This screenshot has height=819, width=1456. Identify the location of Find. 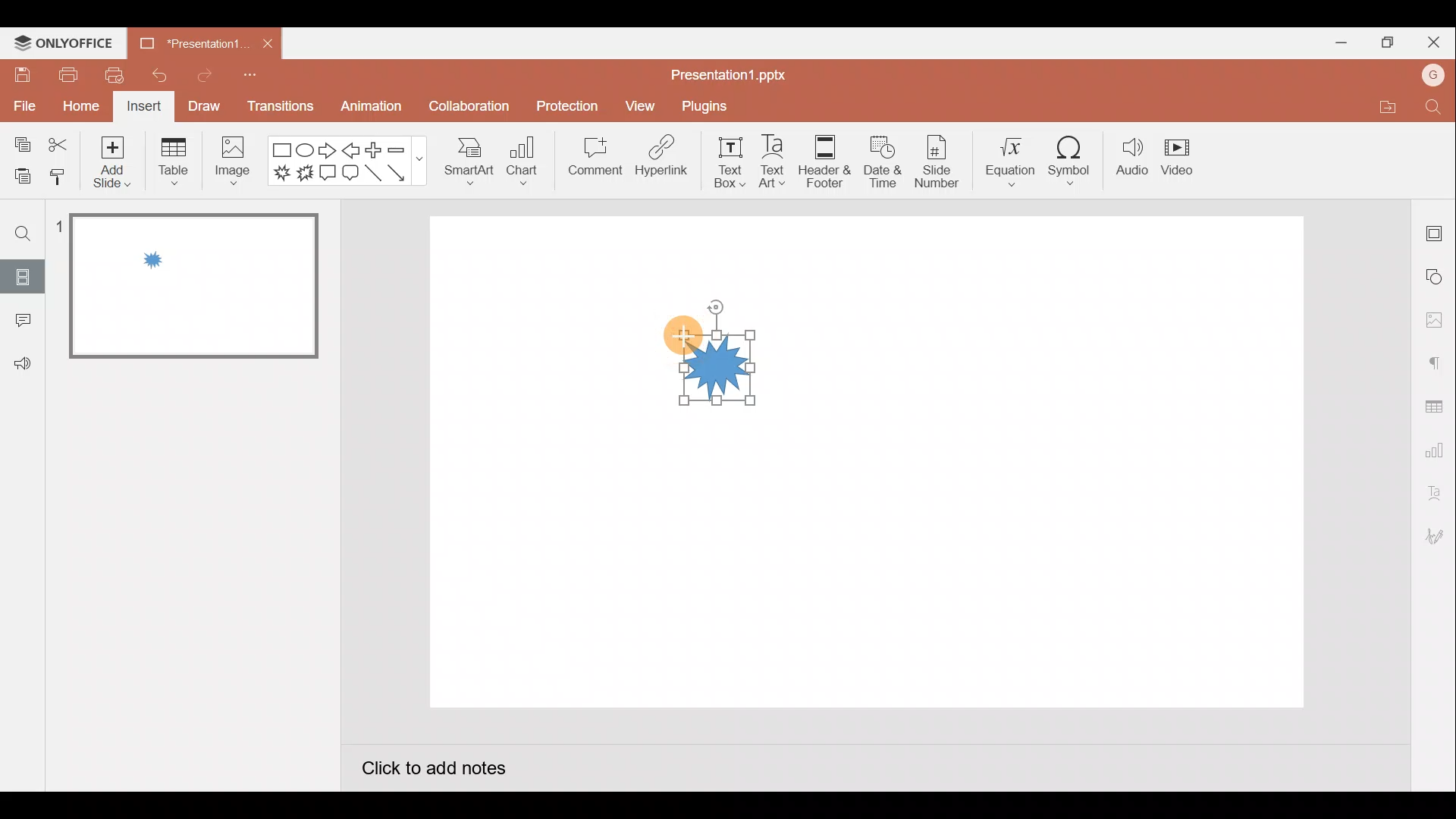
(21, 234).